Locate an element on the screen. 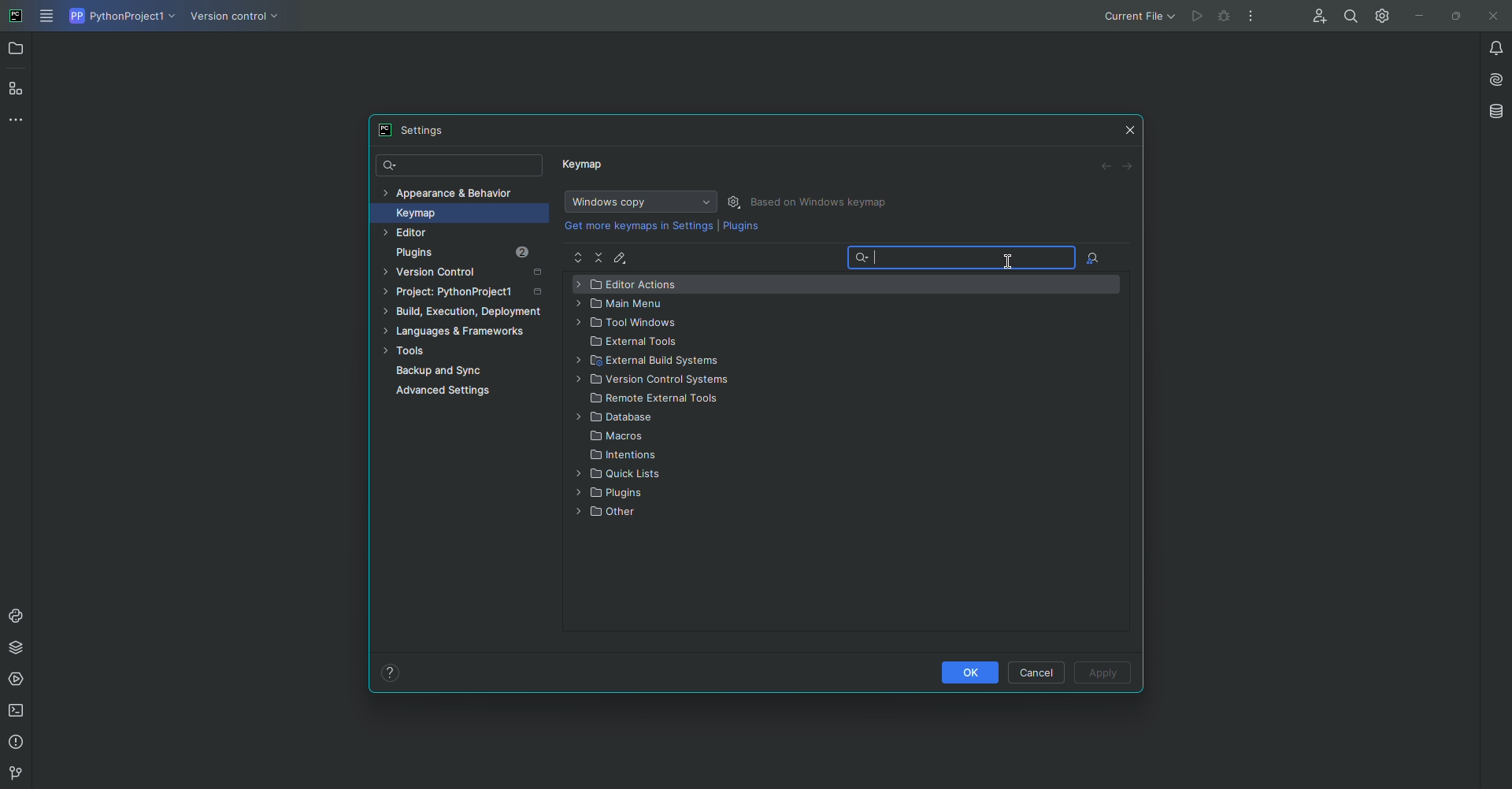 Image resolution: width=1512 pixels, height=789 pixels. Search is located at coordinates (963, 260).